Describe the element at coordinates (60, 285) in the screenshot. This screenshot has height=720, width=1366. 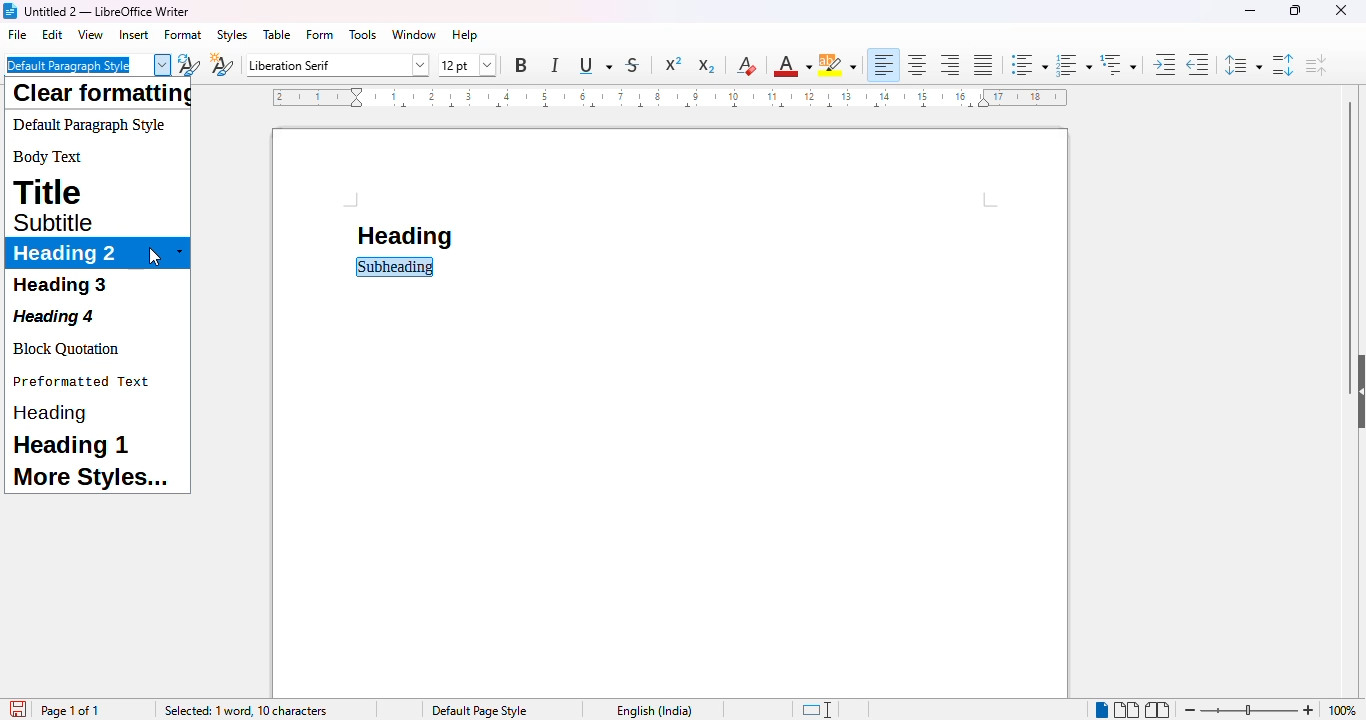
I see `heading 3` at that location.